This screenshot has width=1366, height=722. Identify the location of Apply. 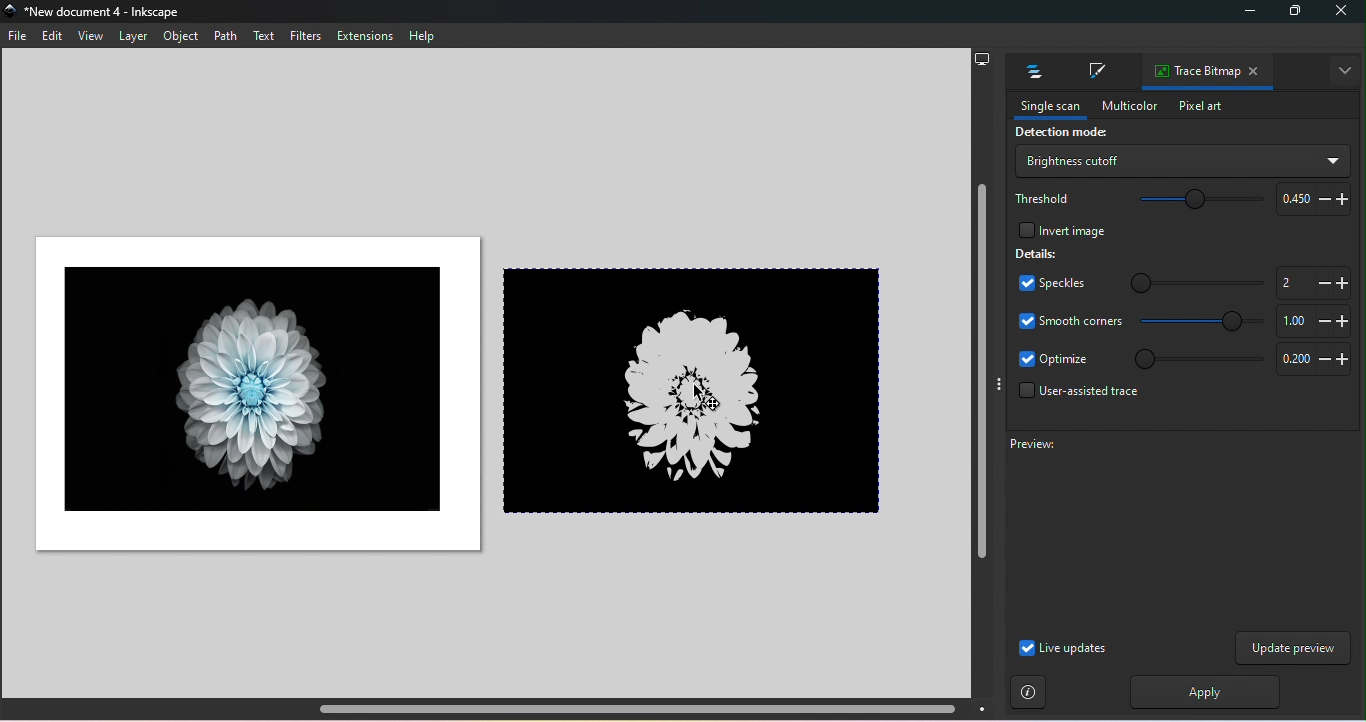
(1200, 692).